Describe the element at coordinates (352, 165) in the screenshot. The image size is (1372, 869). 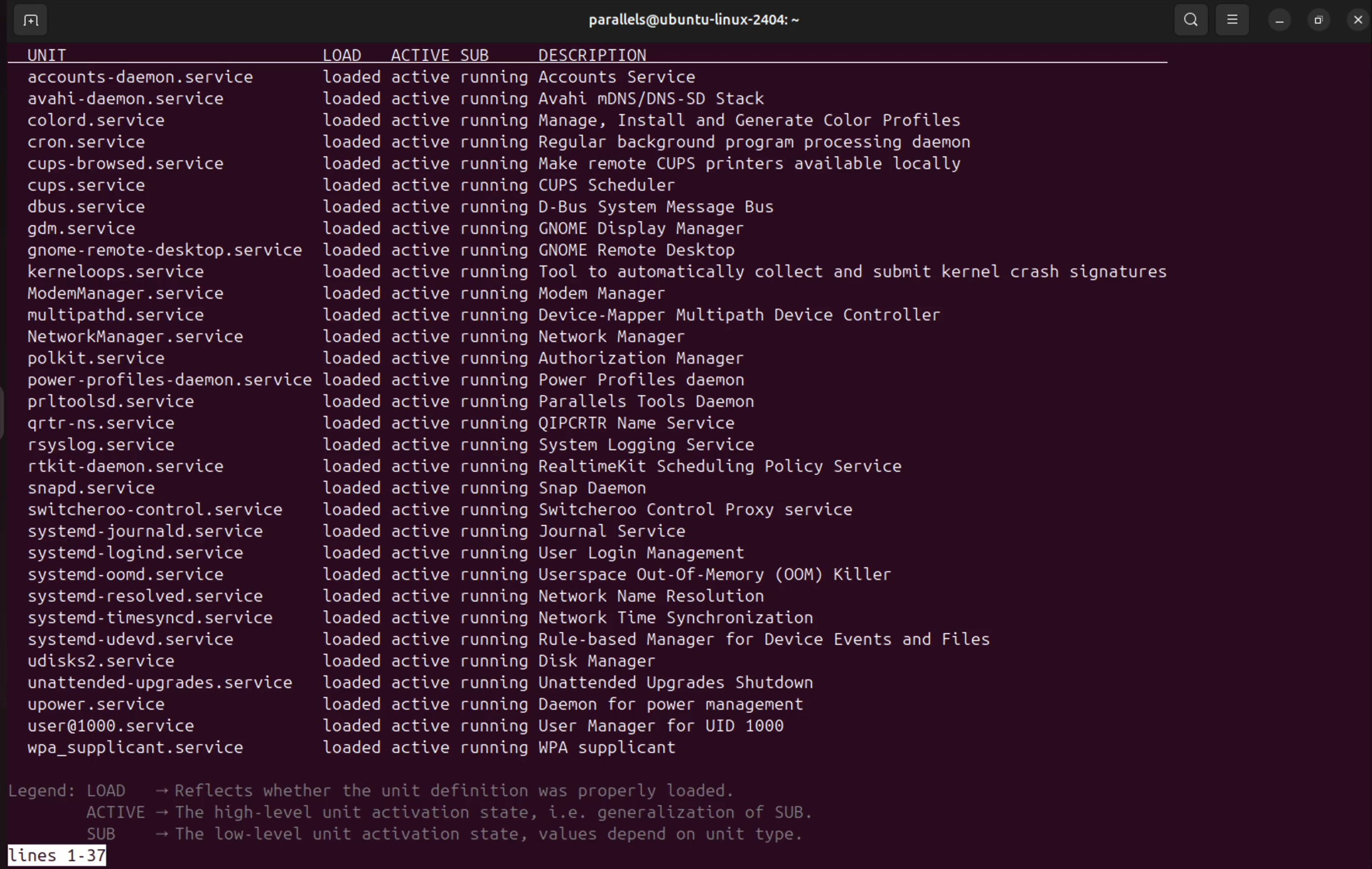
I see `loaded` at that location.